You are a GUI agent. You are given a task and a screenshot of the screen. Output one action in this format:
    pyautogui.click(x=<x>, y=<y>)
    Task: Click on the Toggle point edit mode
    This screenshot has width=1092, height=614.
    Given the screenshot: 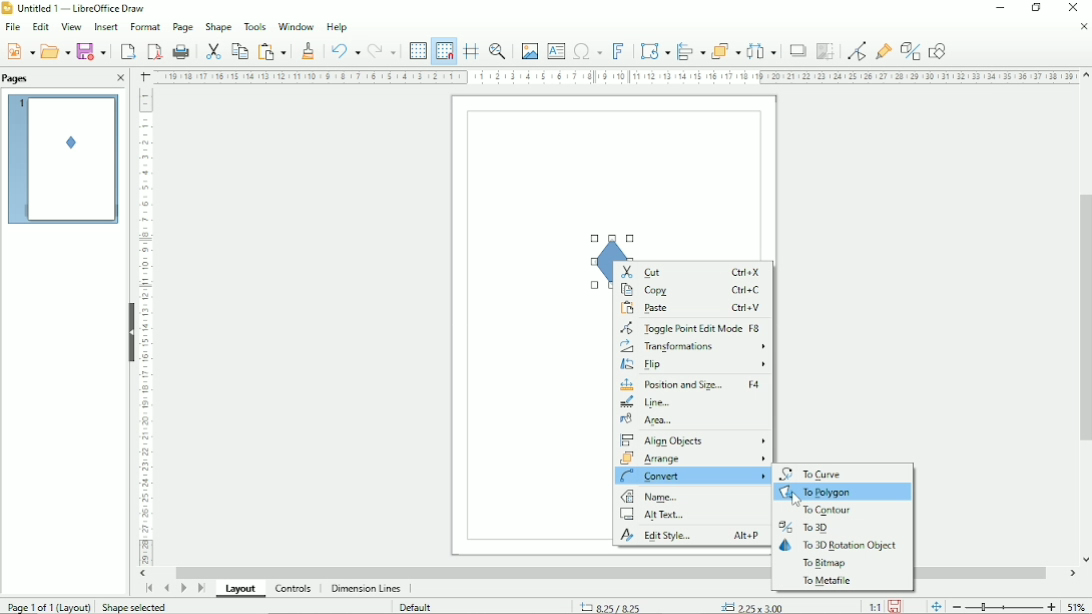 What is the action you would take?
    pyautogui.click(x=695, y=329)
    